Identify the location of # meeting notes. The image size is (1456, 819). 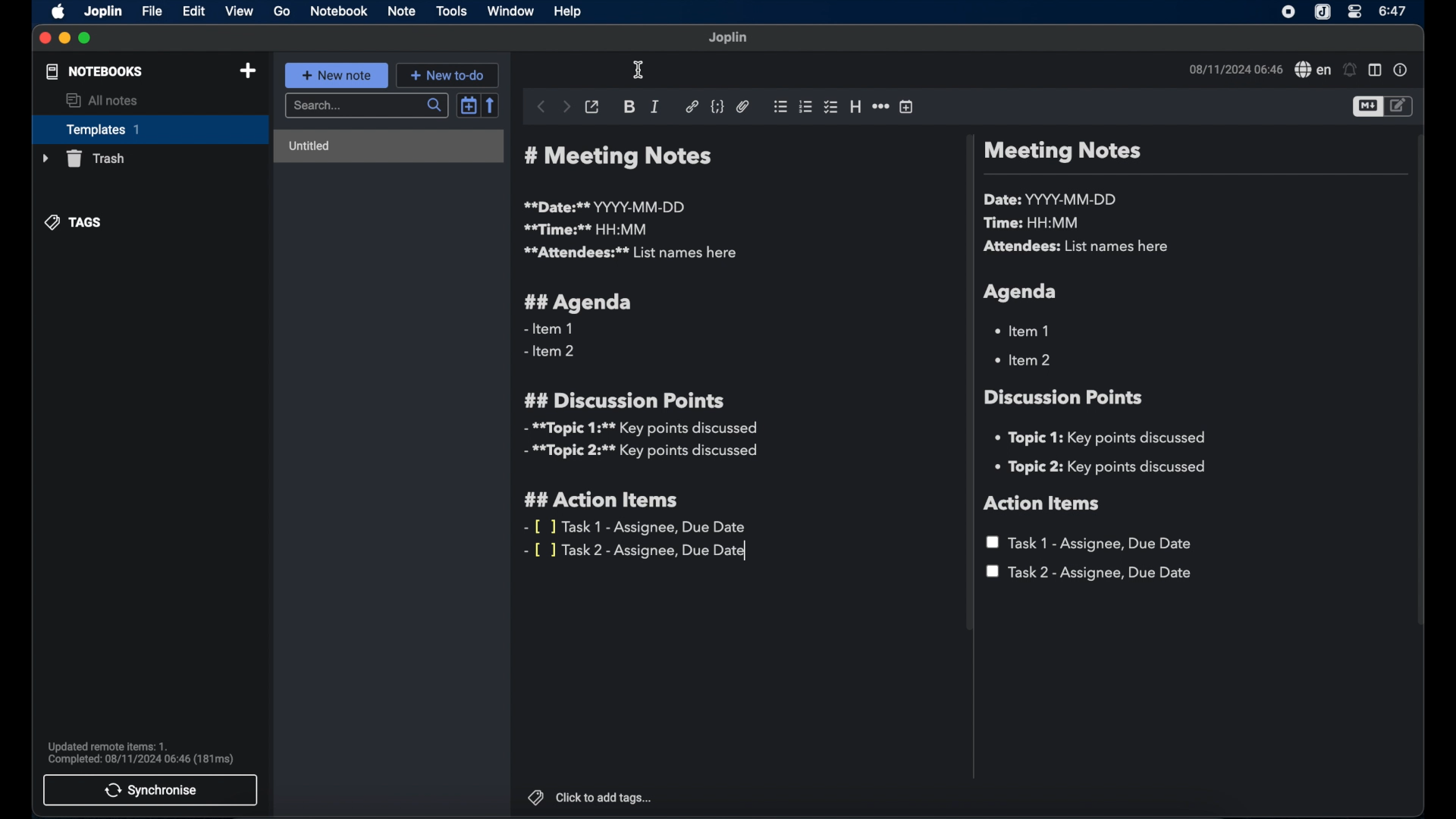
(623, 157).